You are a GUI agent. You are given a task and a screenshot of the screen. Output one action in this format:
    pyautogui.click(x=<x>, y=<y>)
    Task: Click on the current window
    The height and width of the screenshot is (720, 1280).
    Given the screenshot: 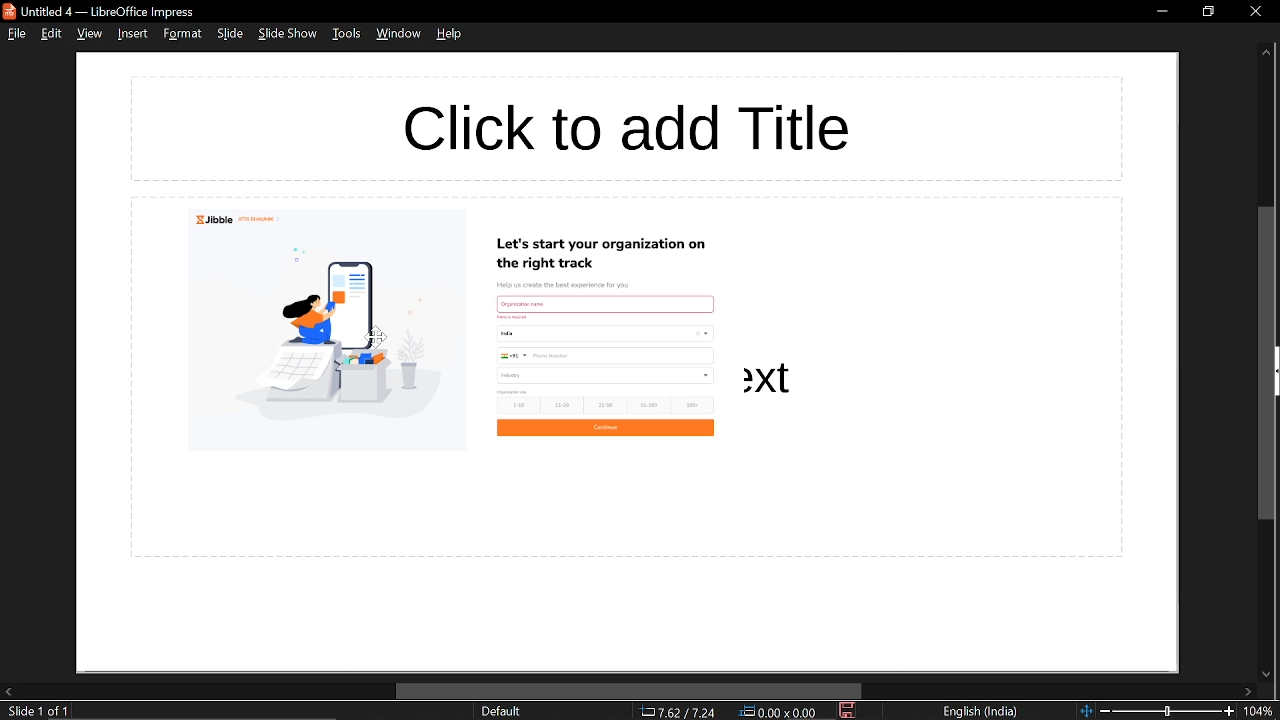 What is the action you would take?
    pyautogui.click(x=104, y=11)
    